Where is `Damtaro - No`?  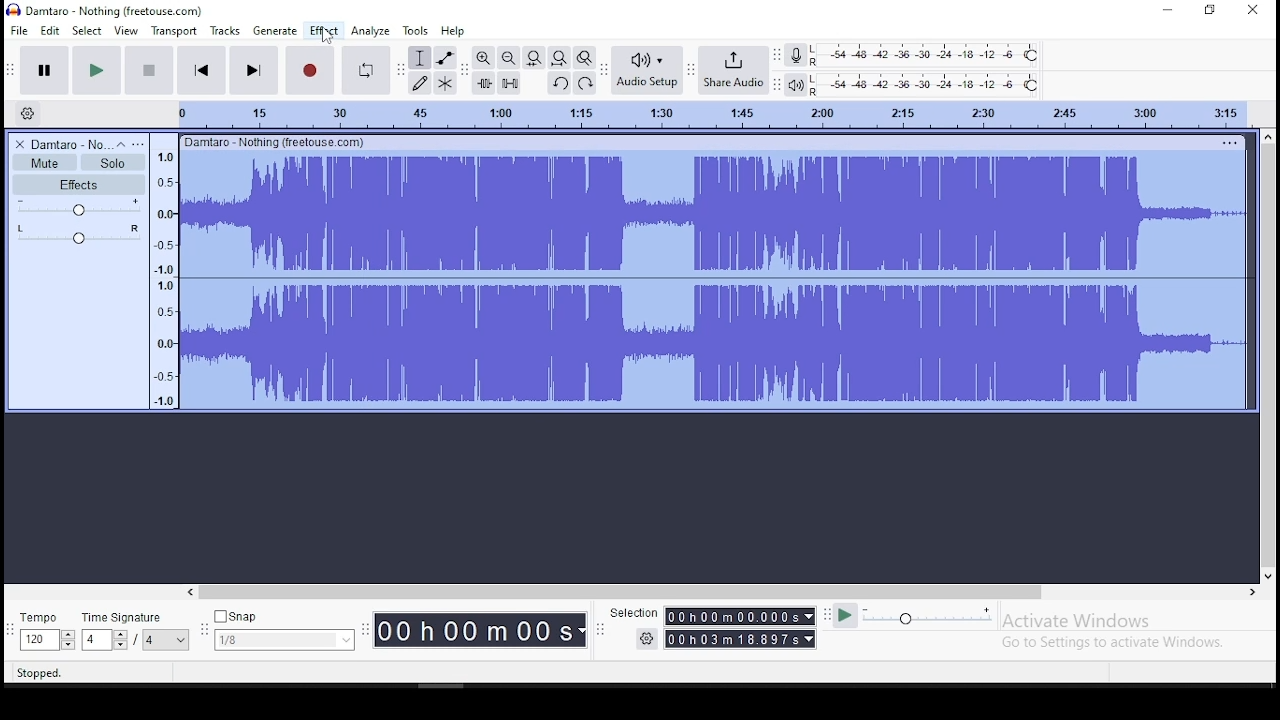
Damtaro - No is located at coordinates (71, 143).